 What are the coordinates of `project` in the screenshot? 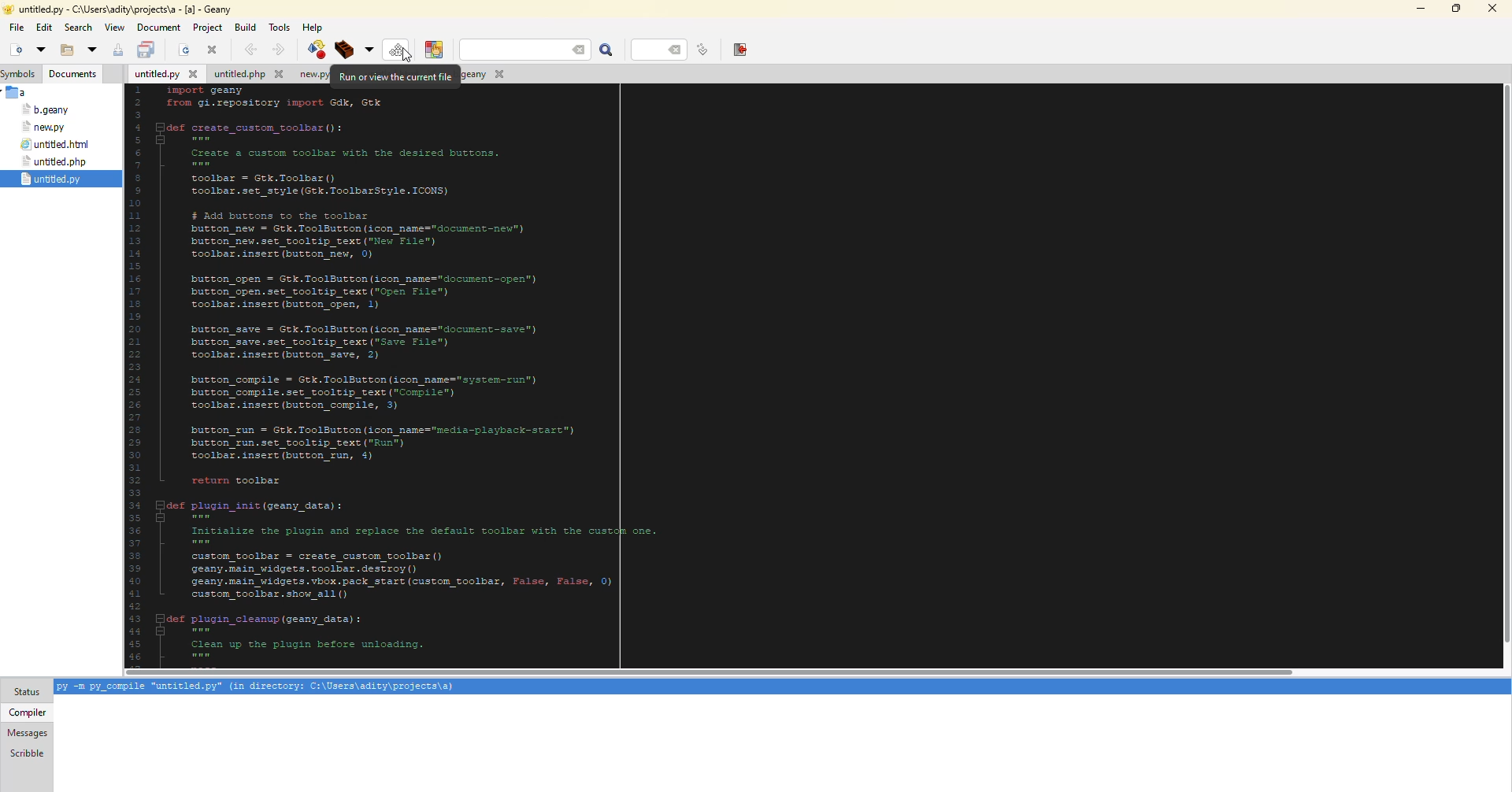 It's located at (207, 28).